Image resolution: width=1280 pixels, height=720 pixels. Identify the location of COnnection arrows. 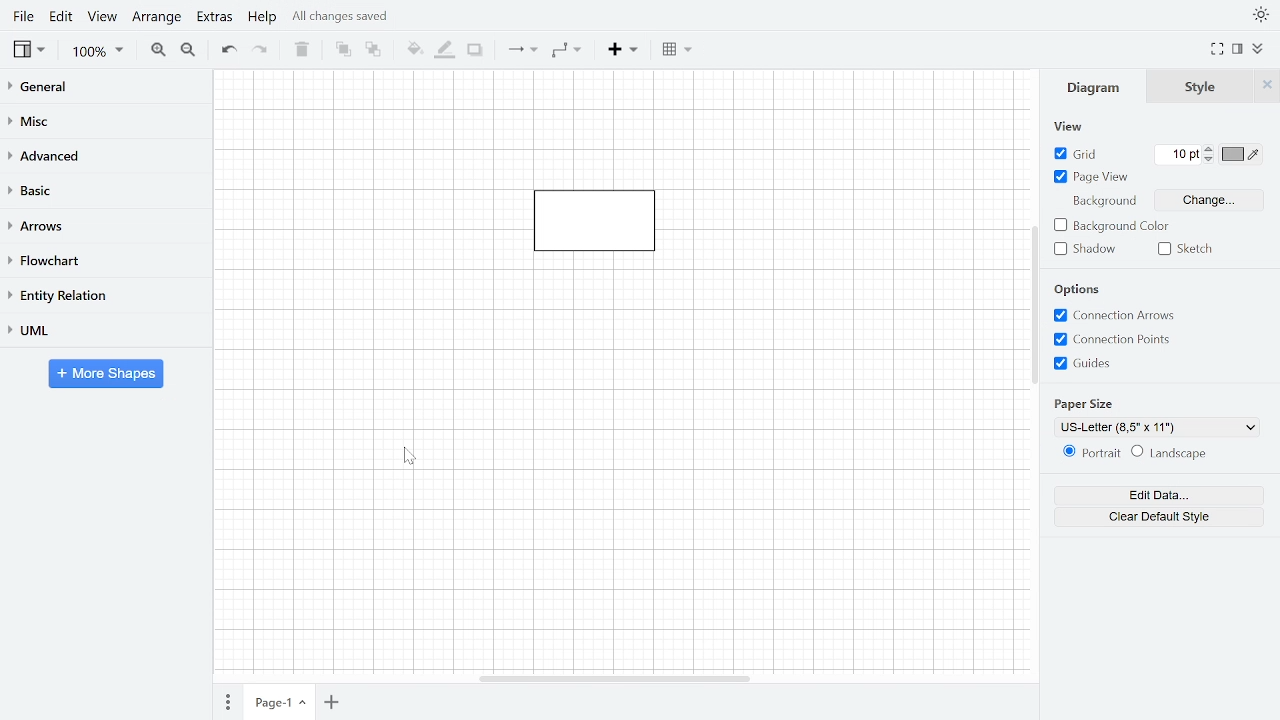
(1116, 317).